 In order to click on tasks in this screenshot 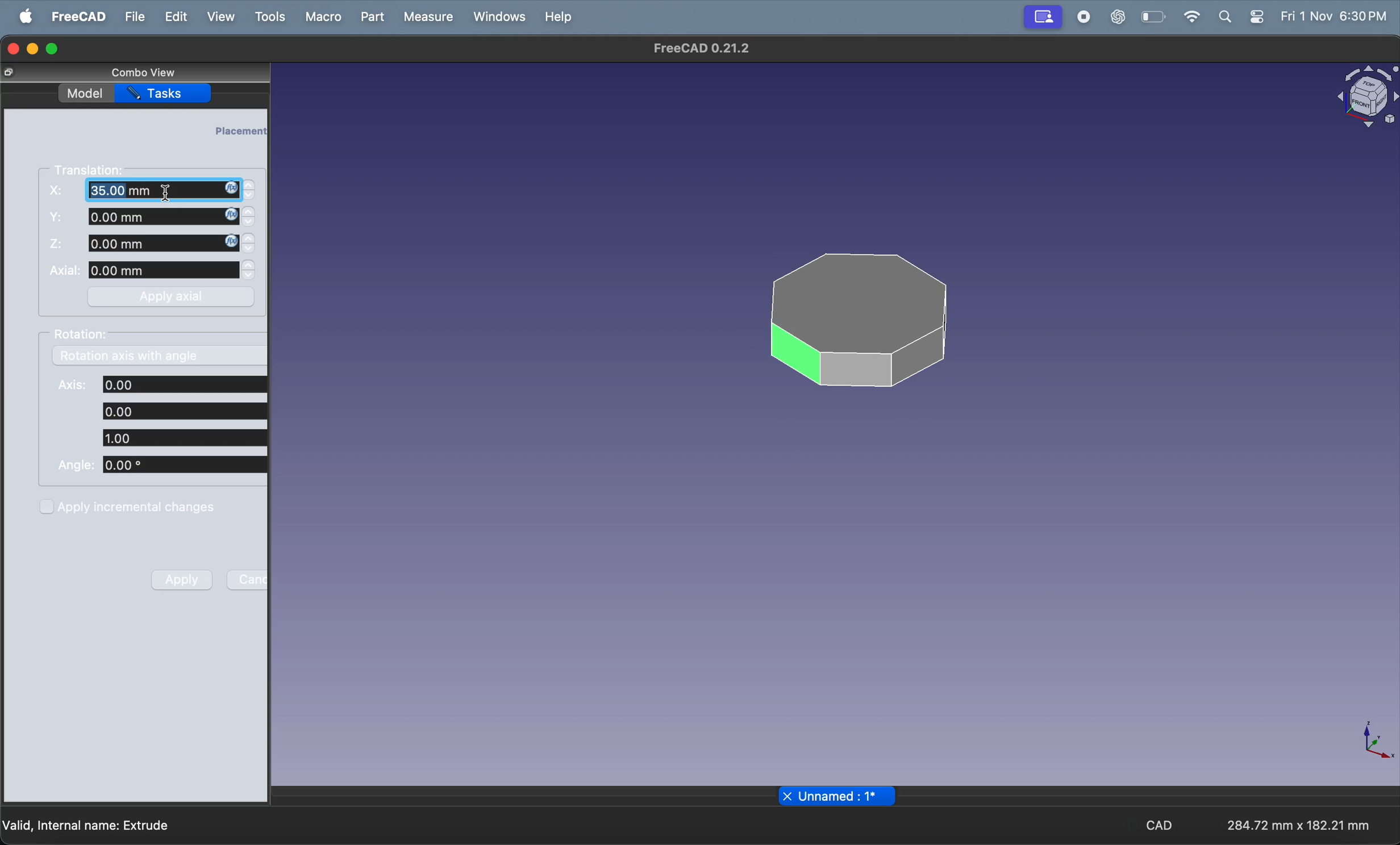, I will do `click(168, 94)`.